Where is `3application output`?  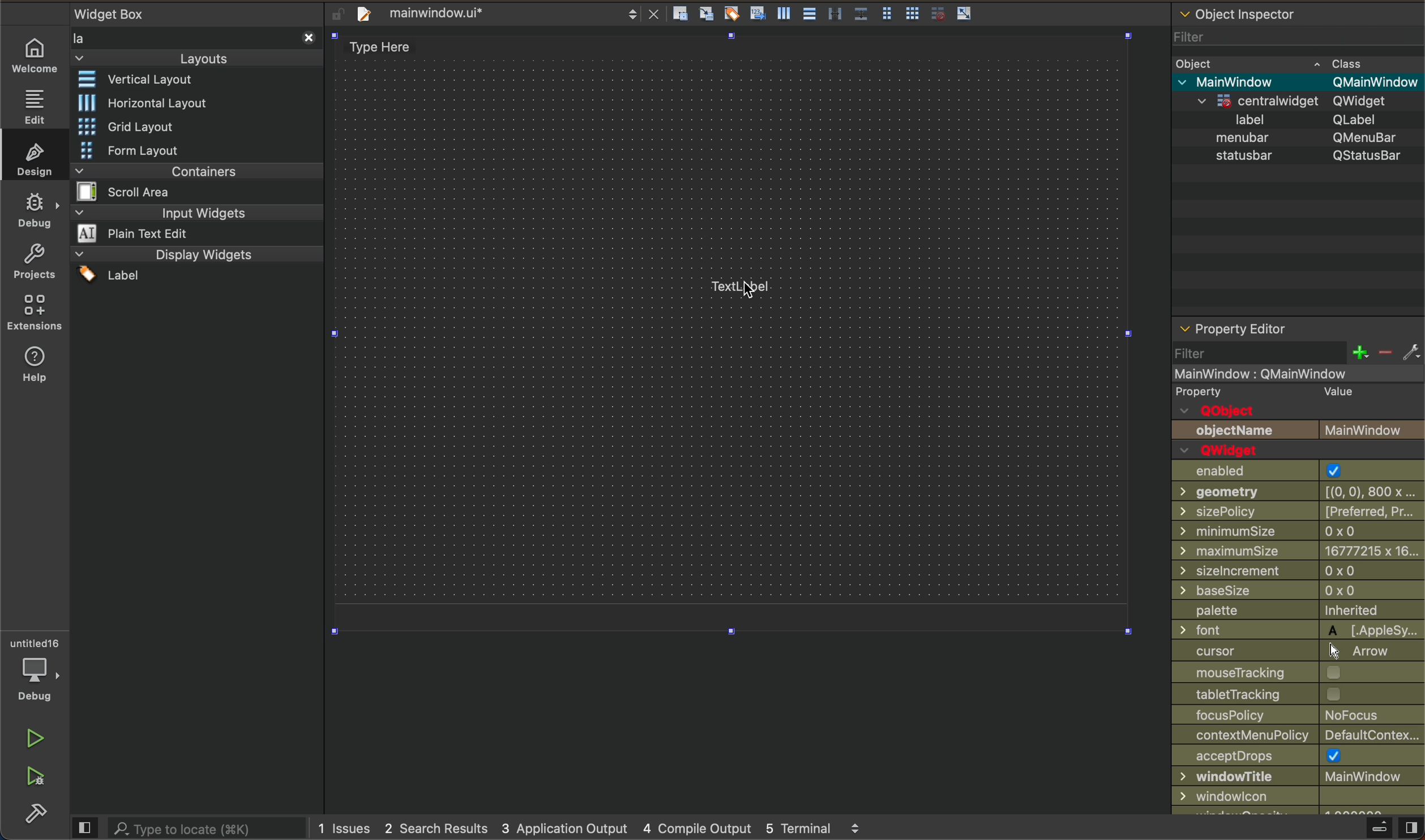
3application output is located at coordinates (570, 828).